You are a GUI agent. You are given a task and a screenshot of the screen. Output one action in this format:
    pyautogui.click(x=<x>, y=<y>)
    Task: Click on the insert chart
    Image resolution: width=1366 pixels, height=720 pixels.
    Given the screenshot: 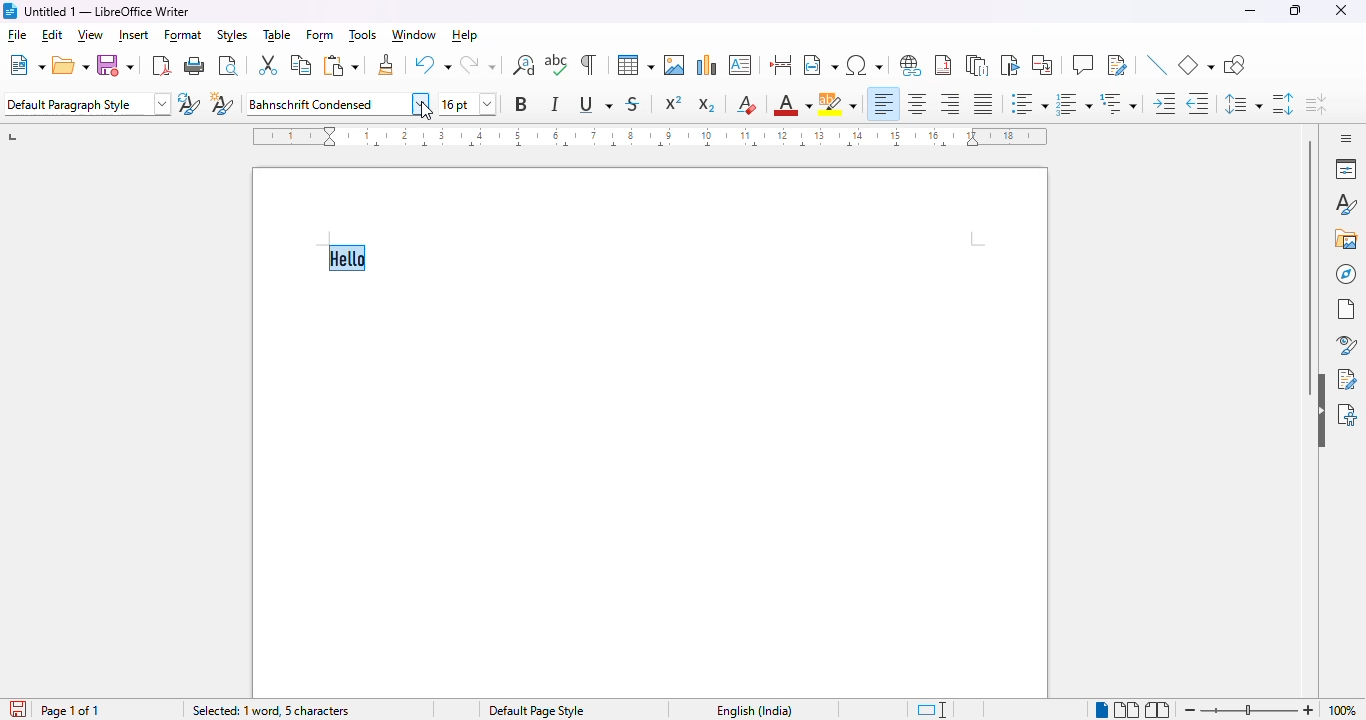 What is the action you would take?
    pyautogui.click(x=707, y=64)
    